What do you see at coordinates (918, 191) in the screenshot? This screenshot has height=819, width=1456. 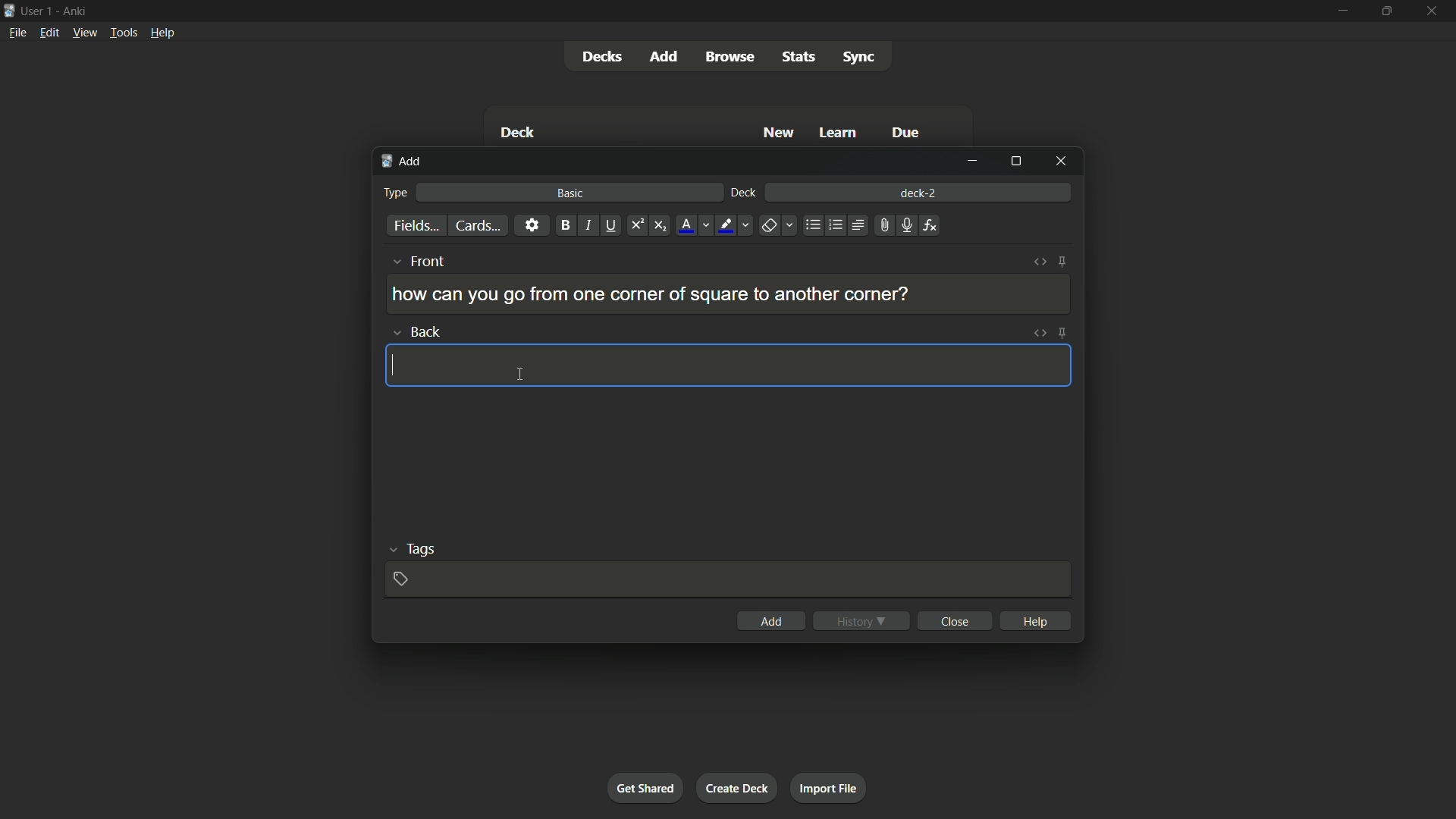 I see `deck-2` at bounding box center [918, 191].